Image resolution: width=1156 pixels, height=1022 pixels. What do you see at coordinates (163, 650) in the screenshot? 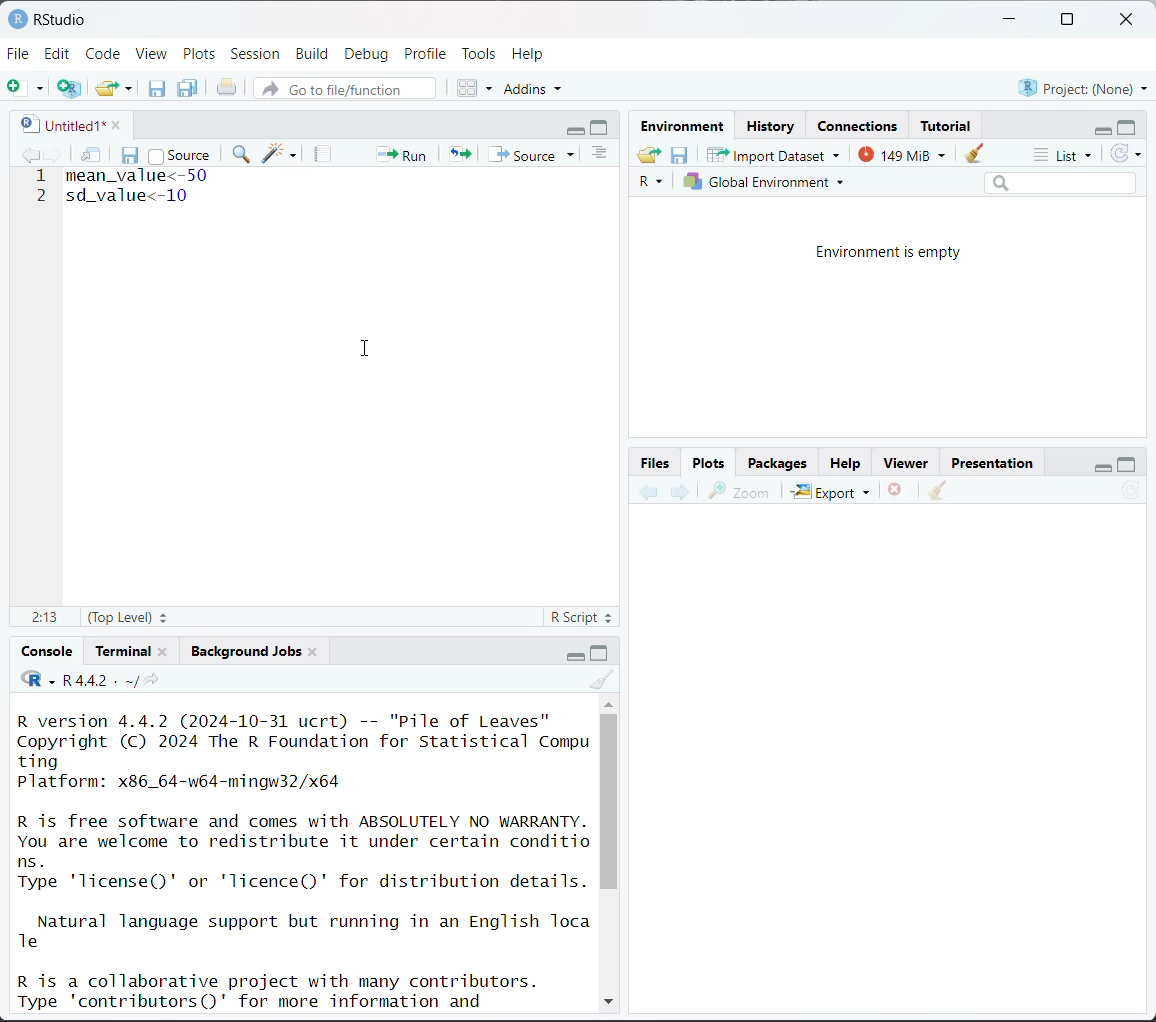
I see `close` at bounding box center [163, 650].